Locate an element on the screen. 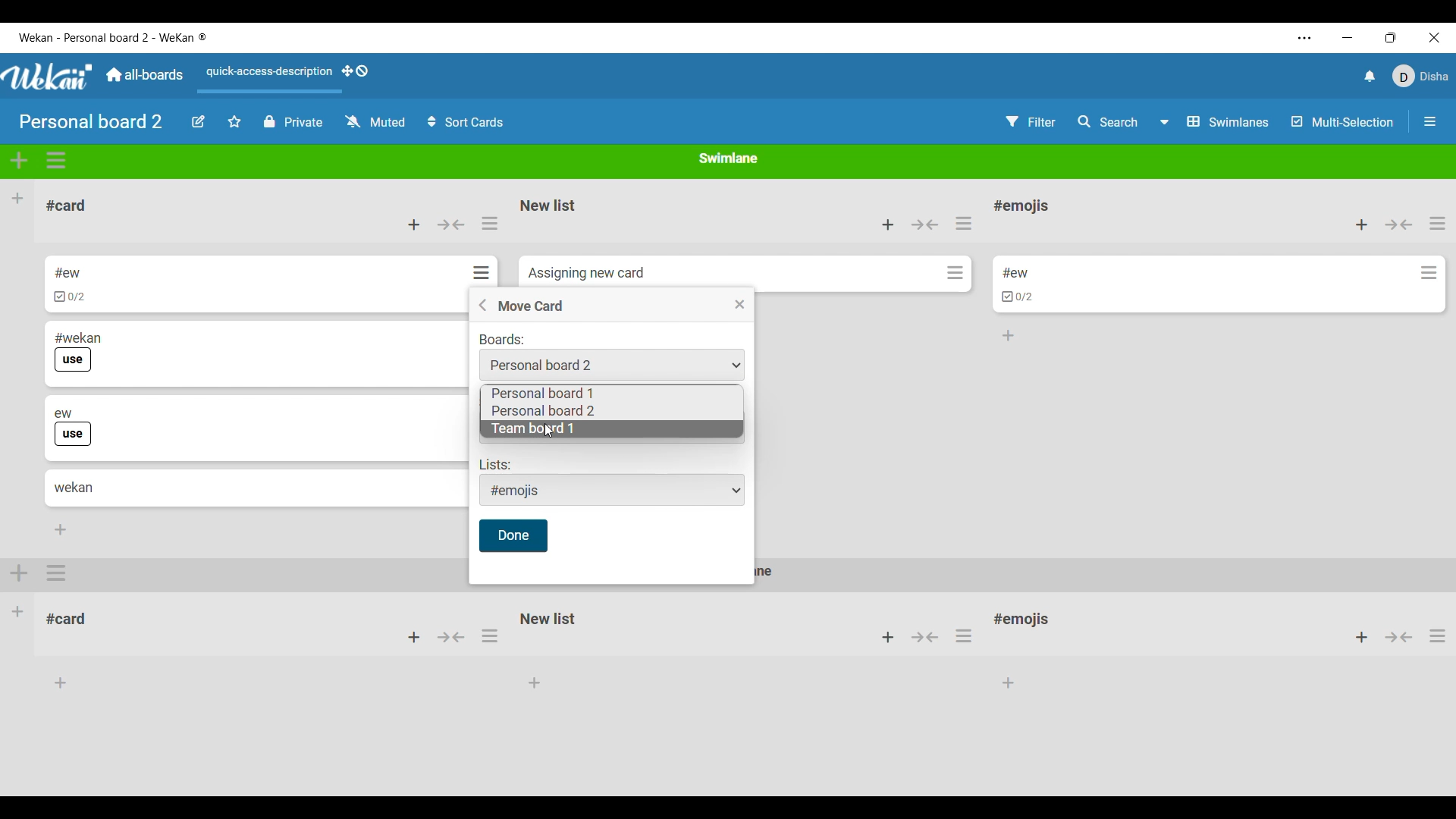 The image size is (1456, 819).  is located at coordinates (1400, 639).